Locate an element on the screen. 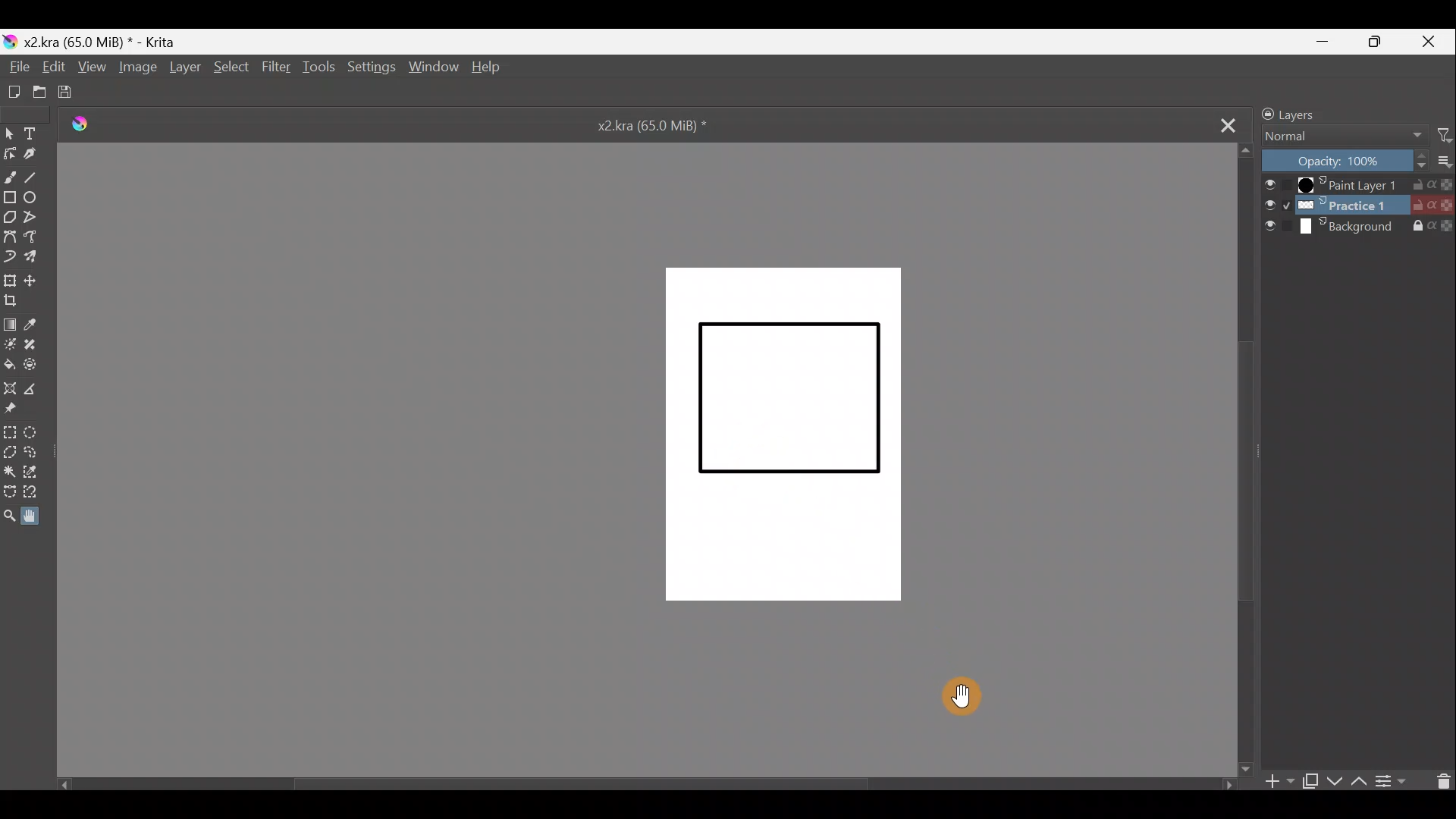  Contiguous selection tool is located at coordinates (10, 472).